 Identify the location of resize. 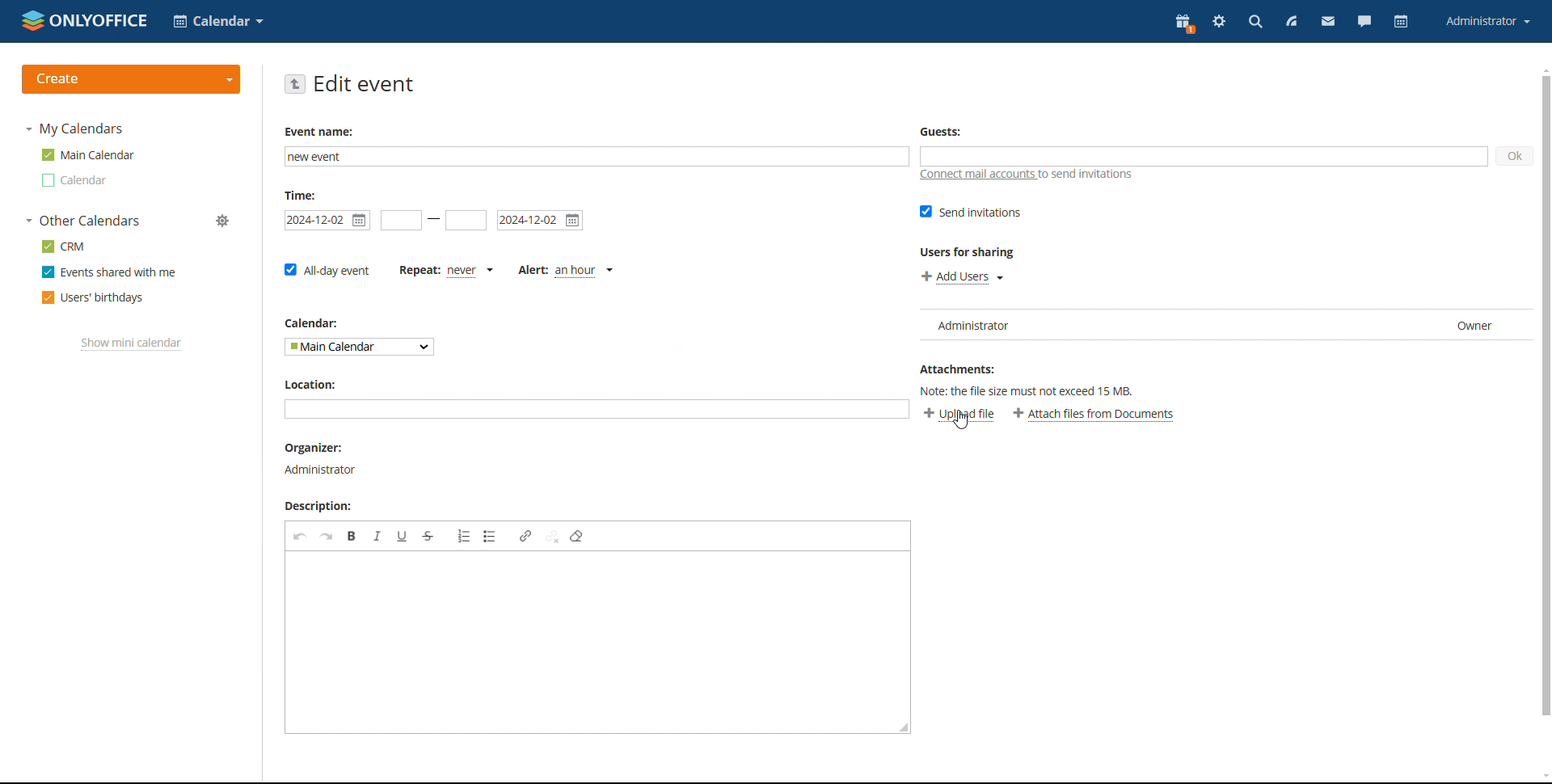
(905, 727).